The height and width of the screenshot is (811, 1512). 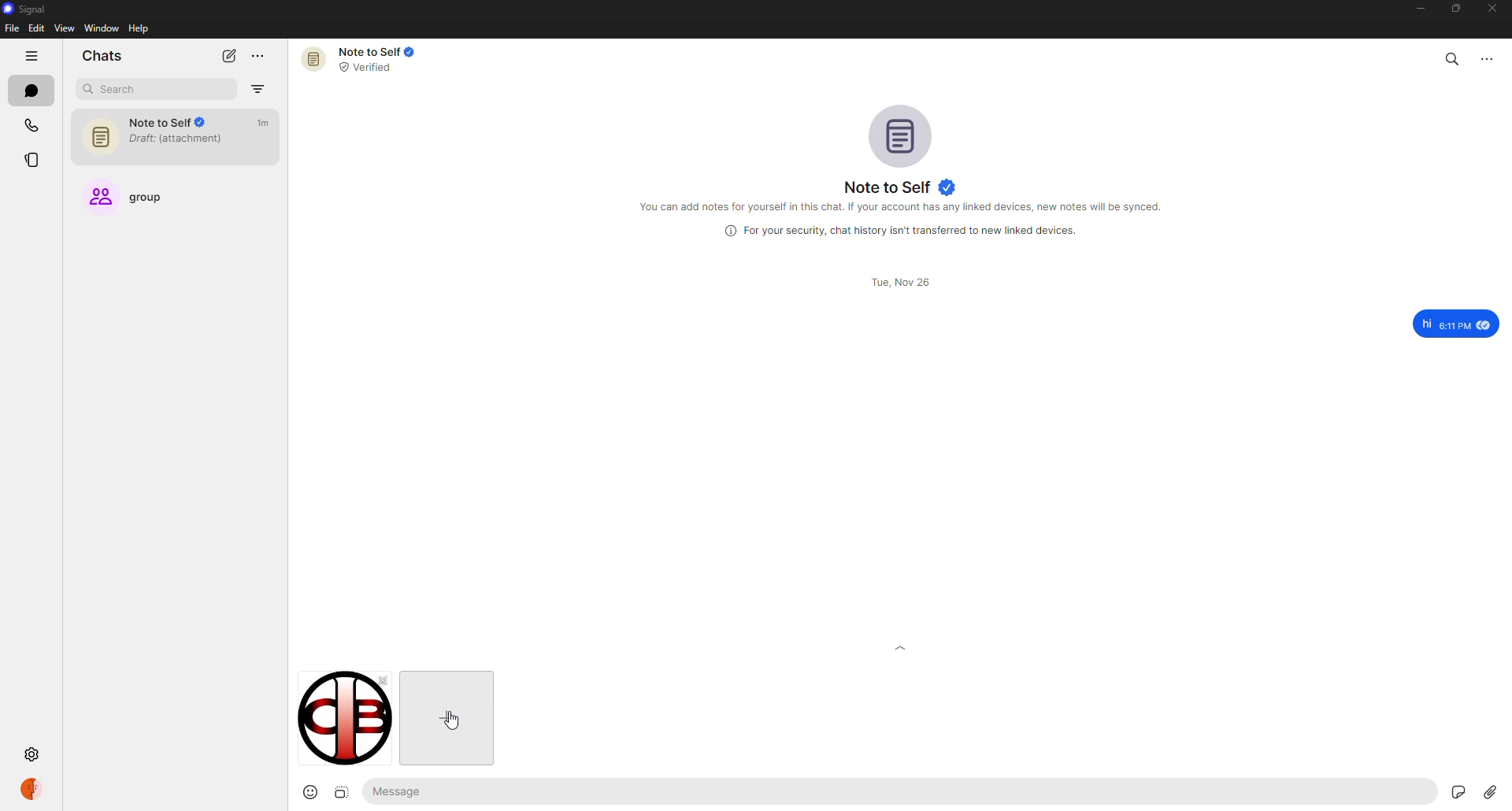 I want to click on close, so click(x=381, y=676).